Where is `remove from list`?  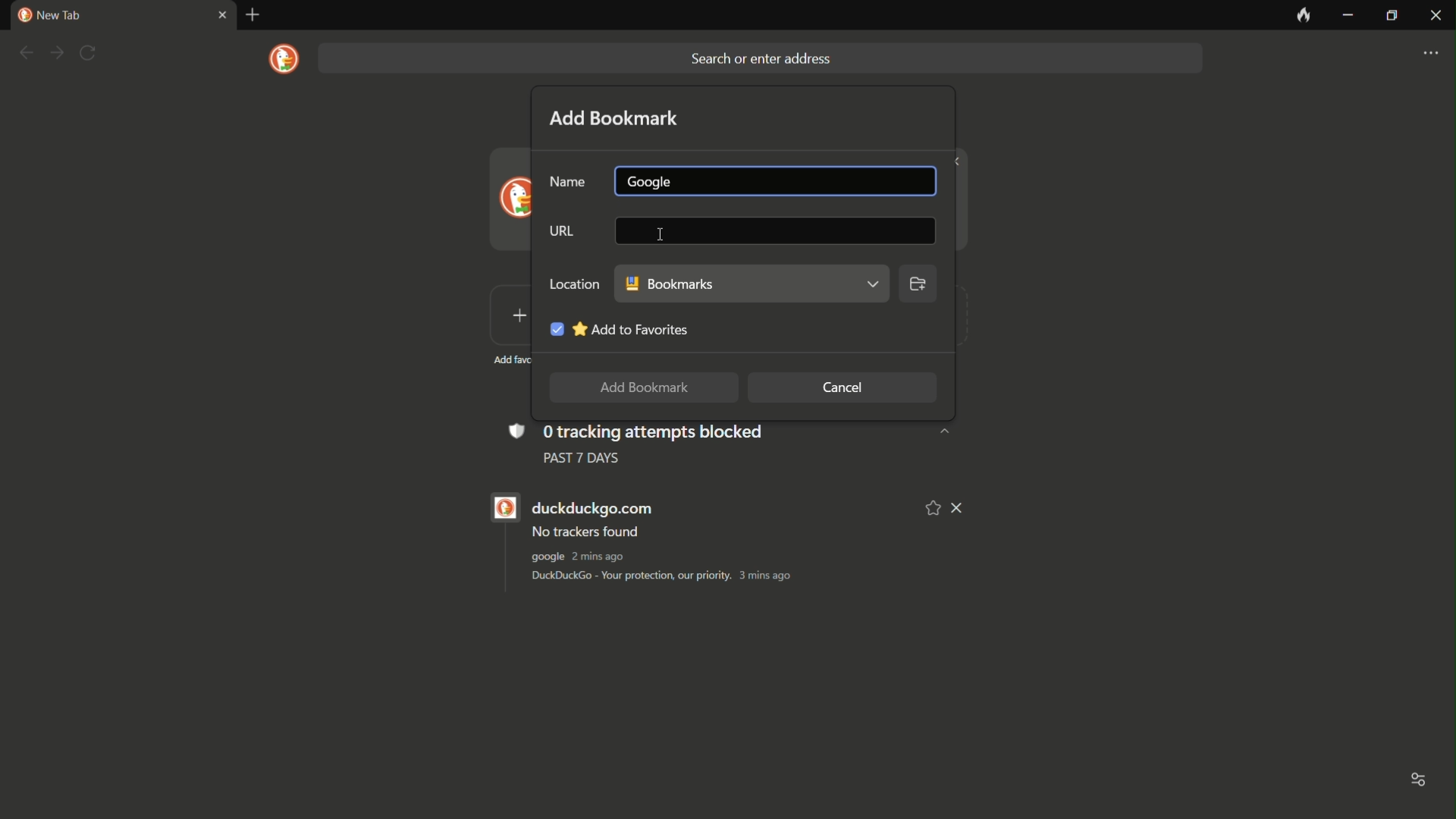 remove from list is located at coordinates (959, 508).